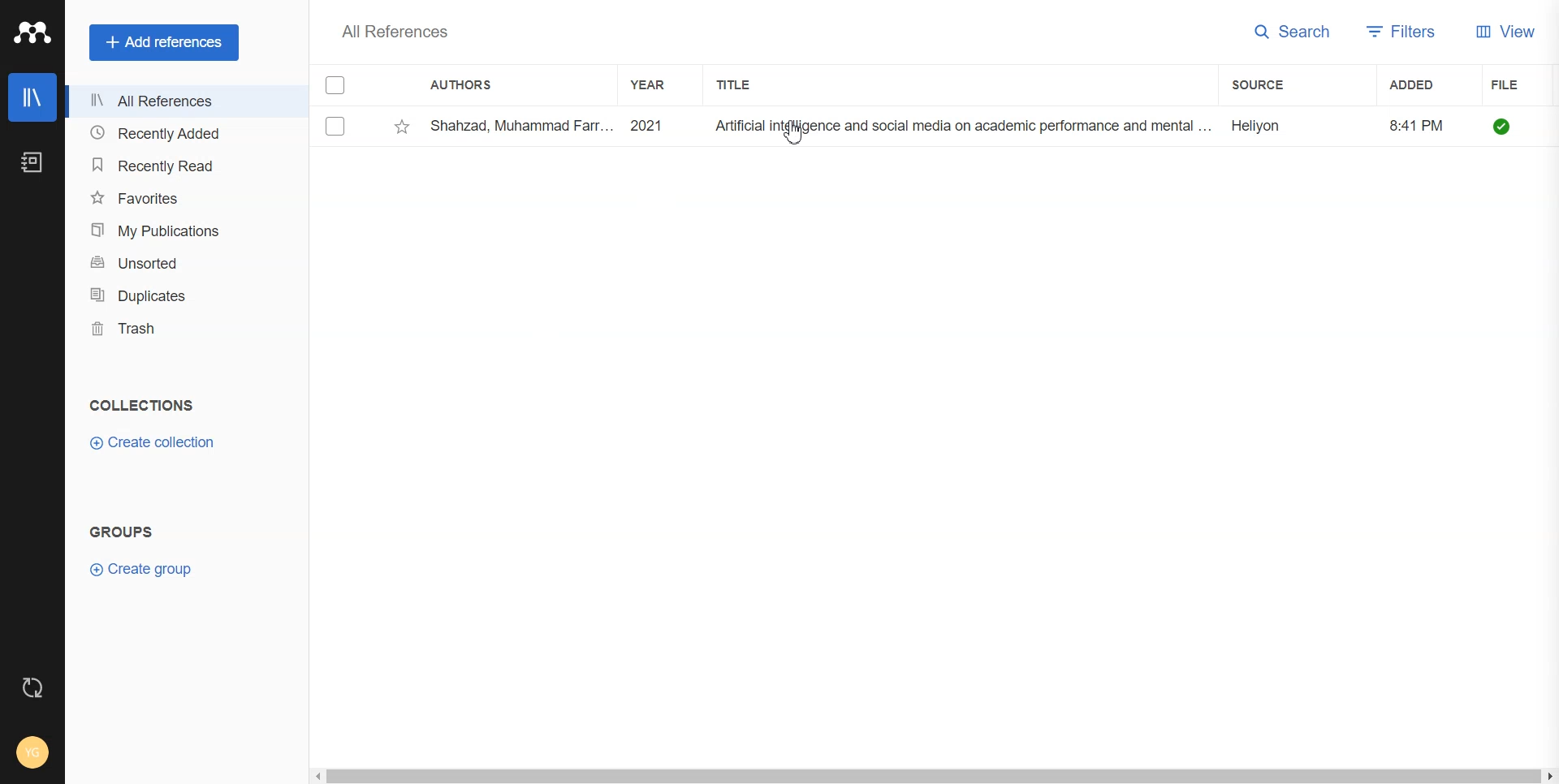  I want to click on Horizontal scroll bar, so click(931, 776).